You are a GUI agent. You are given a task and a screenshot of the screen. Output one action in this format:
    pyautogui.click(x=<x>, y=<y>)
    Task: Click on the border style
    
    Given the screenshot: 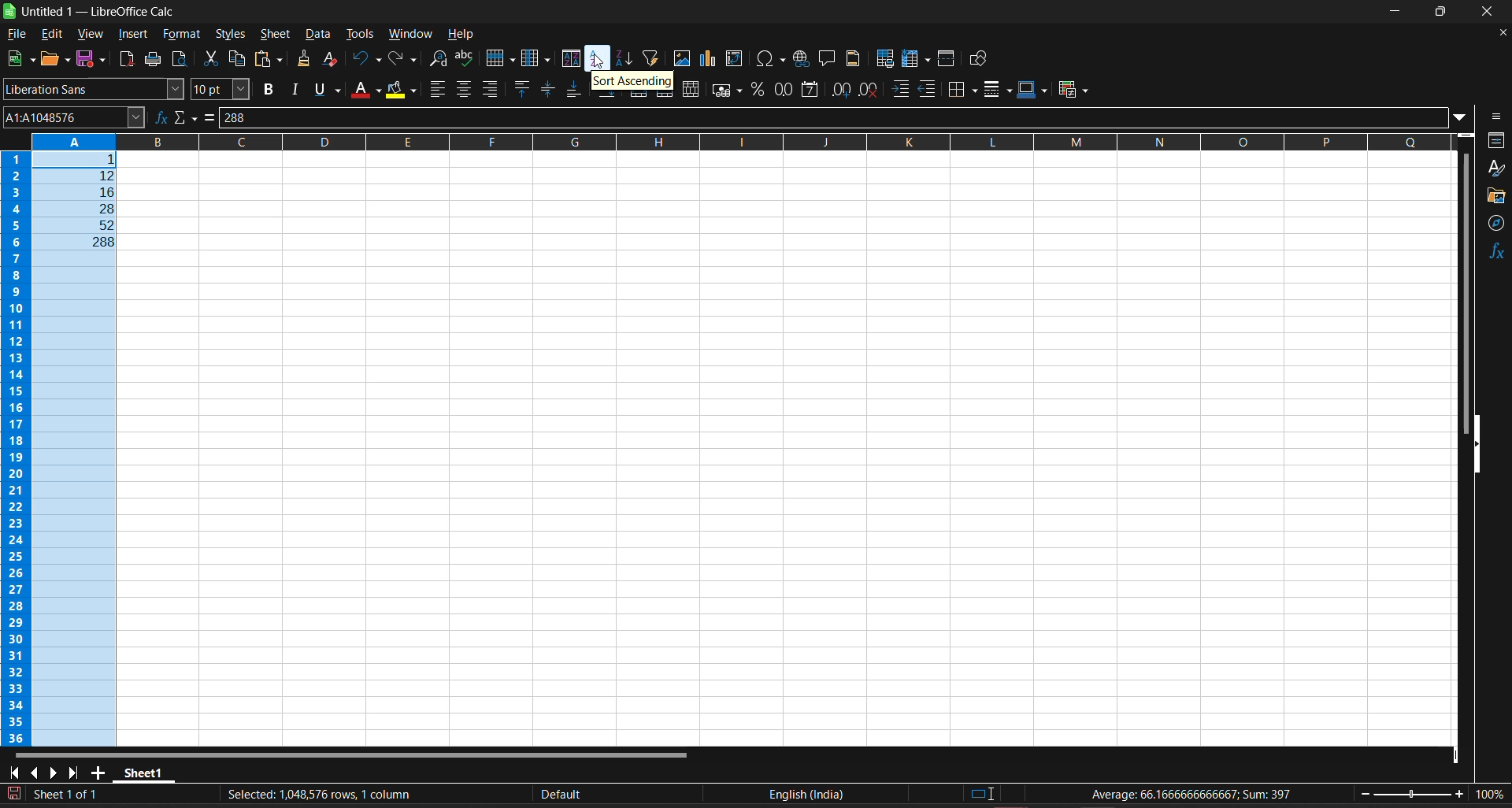 What is the action you would take?
    pyautogui.click(x=999, y=88)
    